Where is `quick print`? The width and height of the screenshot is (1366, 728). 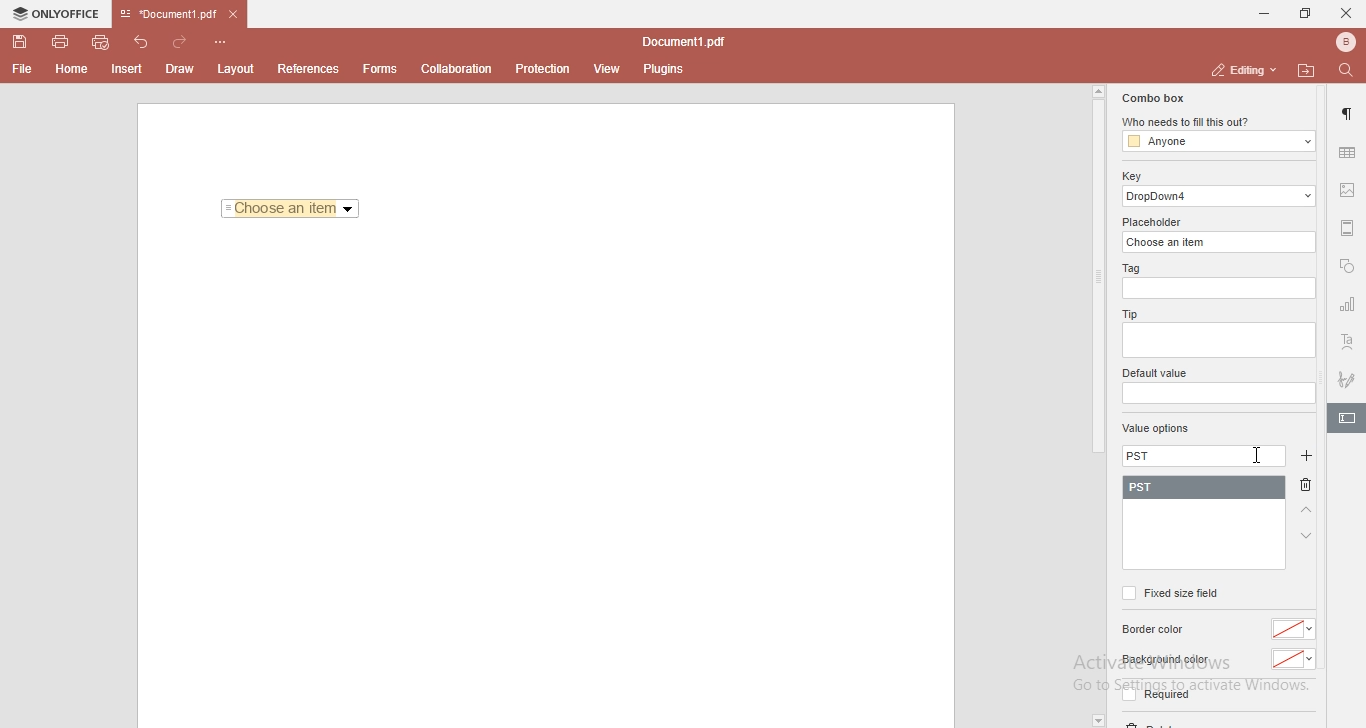 quick print is located at coordinates (102, 41).